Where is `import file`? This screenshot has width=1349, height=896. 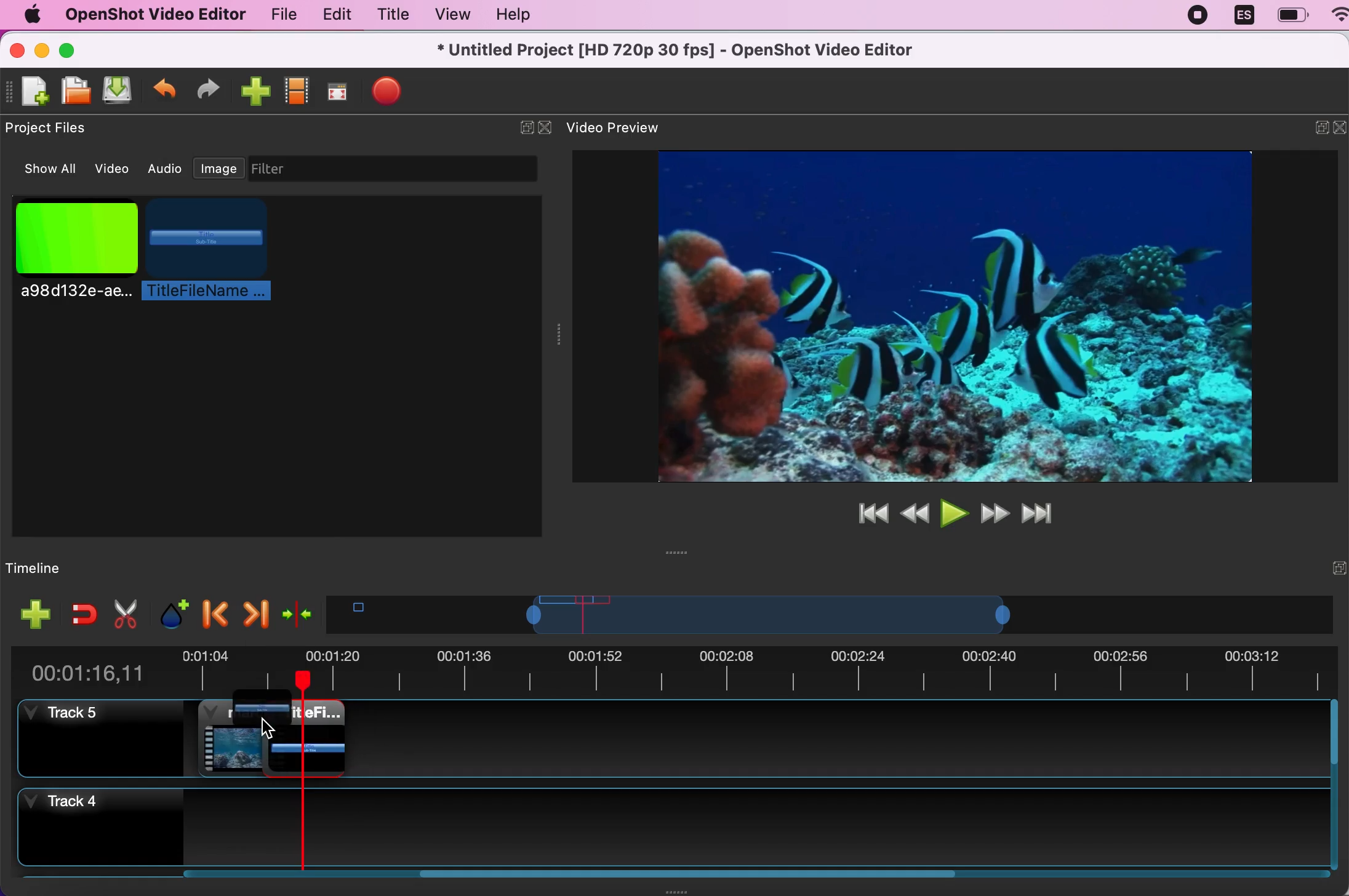 import file is located at coordinates (255, 90).